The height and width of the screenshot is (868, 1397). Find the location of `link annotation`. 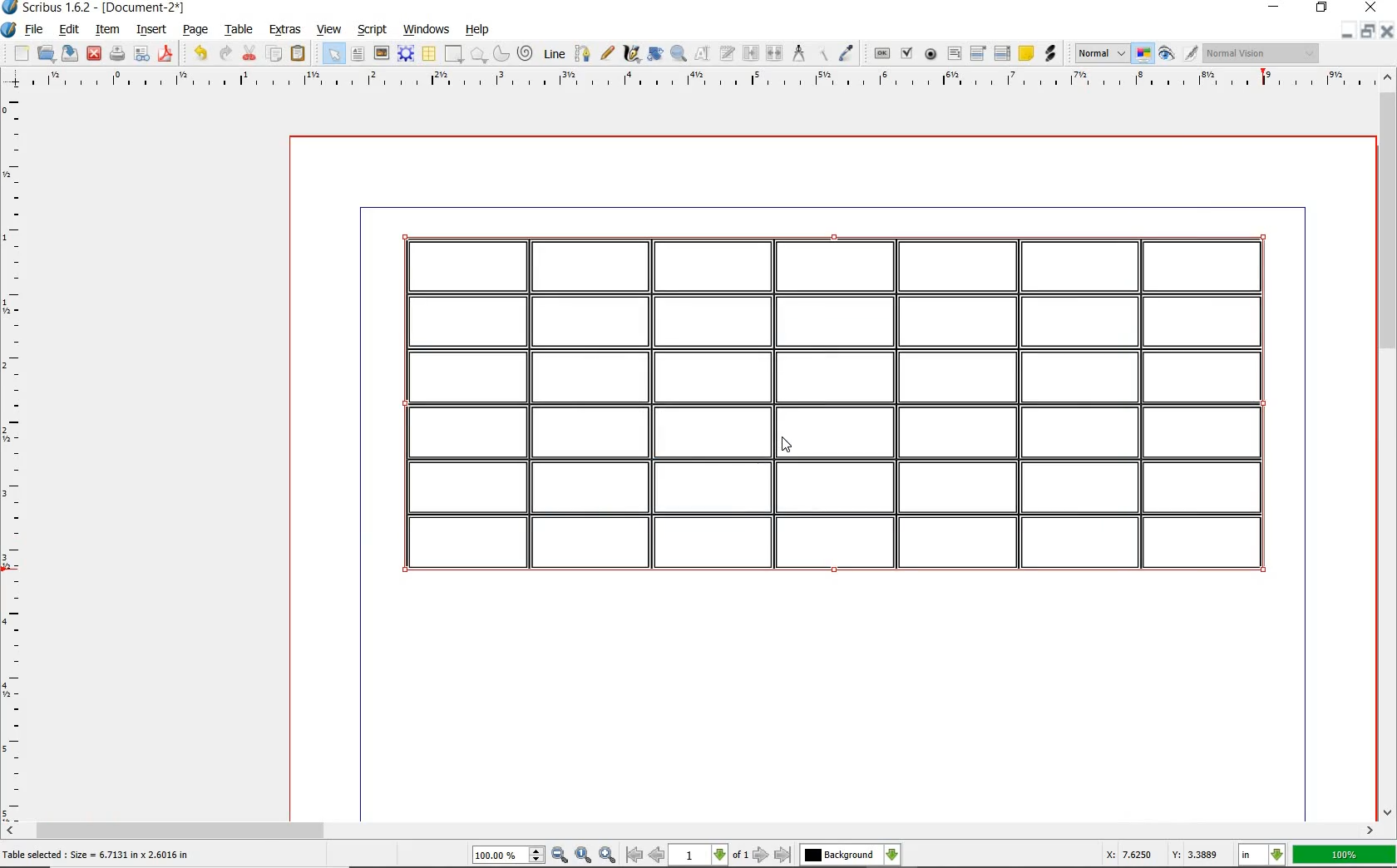

link annotation is located at coordinates (1054, 54).